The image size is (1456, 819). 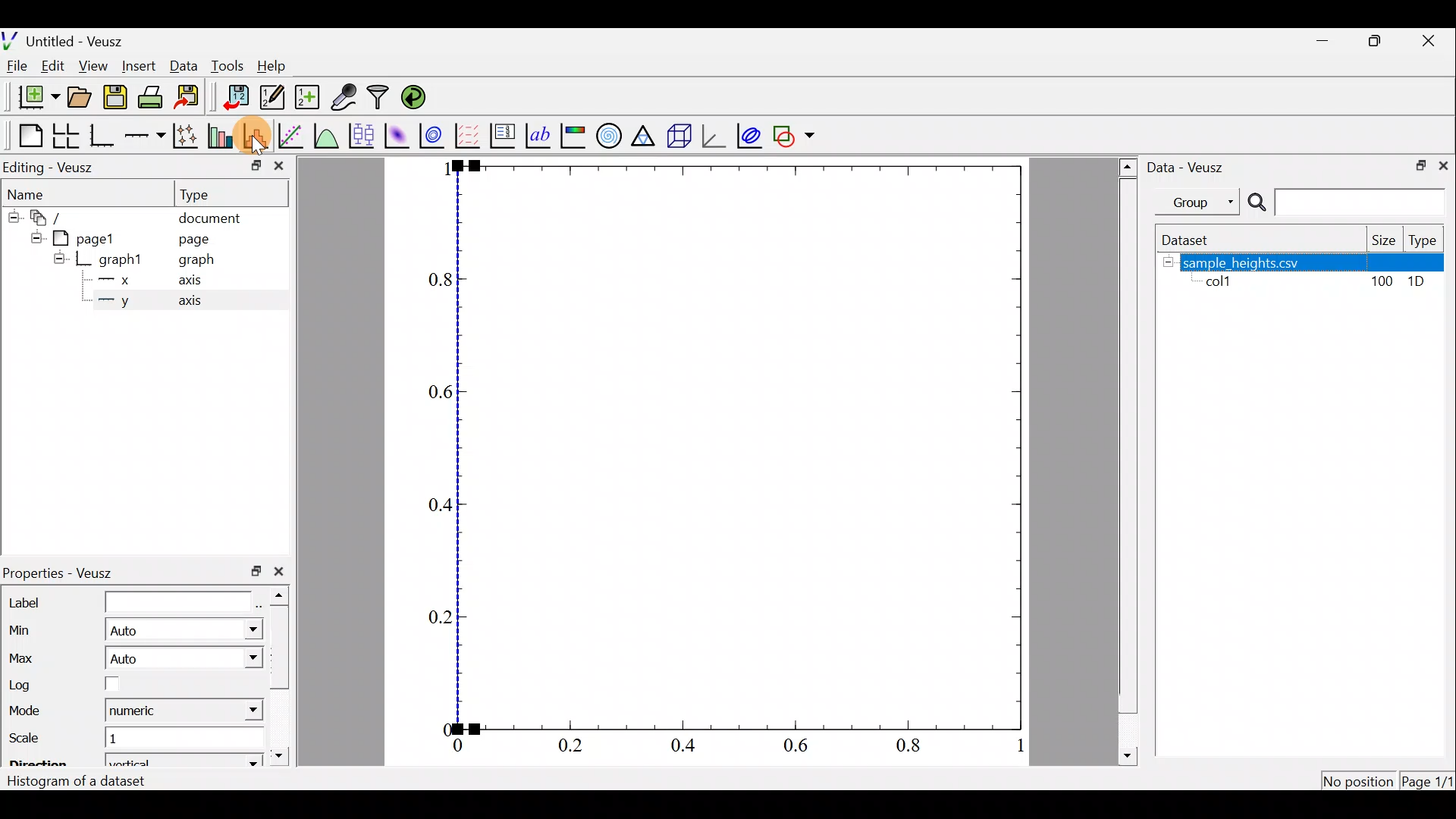 What do you see at coordinates (243, 629) in the screenshot?
I see `Min dropdown` at bounding box center [243, 629].